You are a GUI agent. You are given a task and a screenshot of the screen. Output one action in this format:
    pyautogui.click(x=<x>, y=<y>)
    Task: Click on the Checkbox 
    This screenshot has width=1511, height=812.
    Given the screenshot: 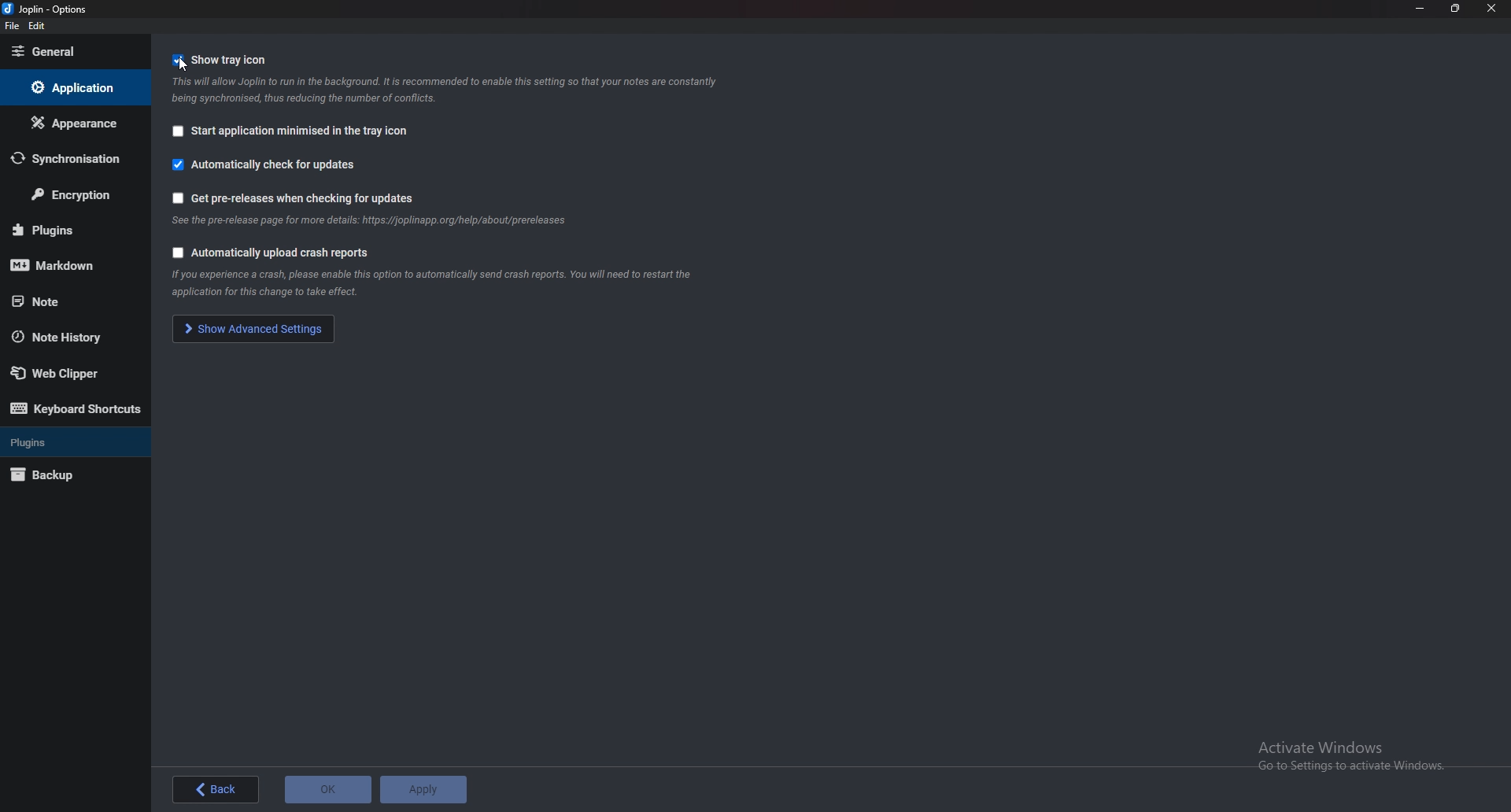 What is the action you would take?
    pyautogui.click(x=175, y=253)
    